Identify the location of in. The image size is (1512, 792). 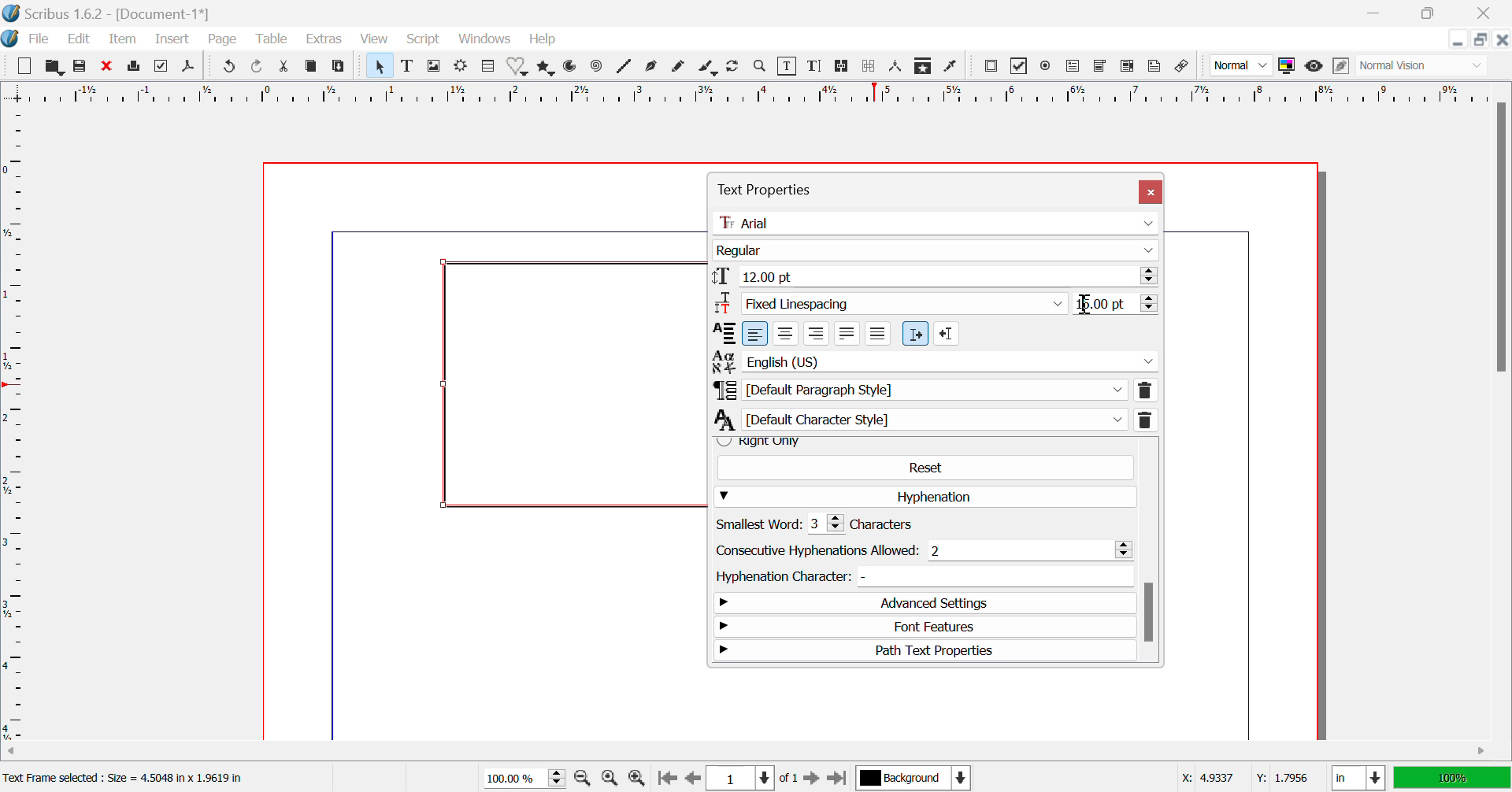
(1357, 778).